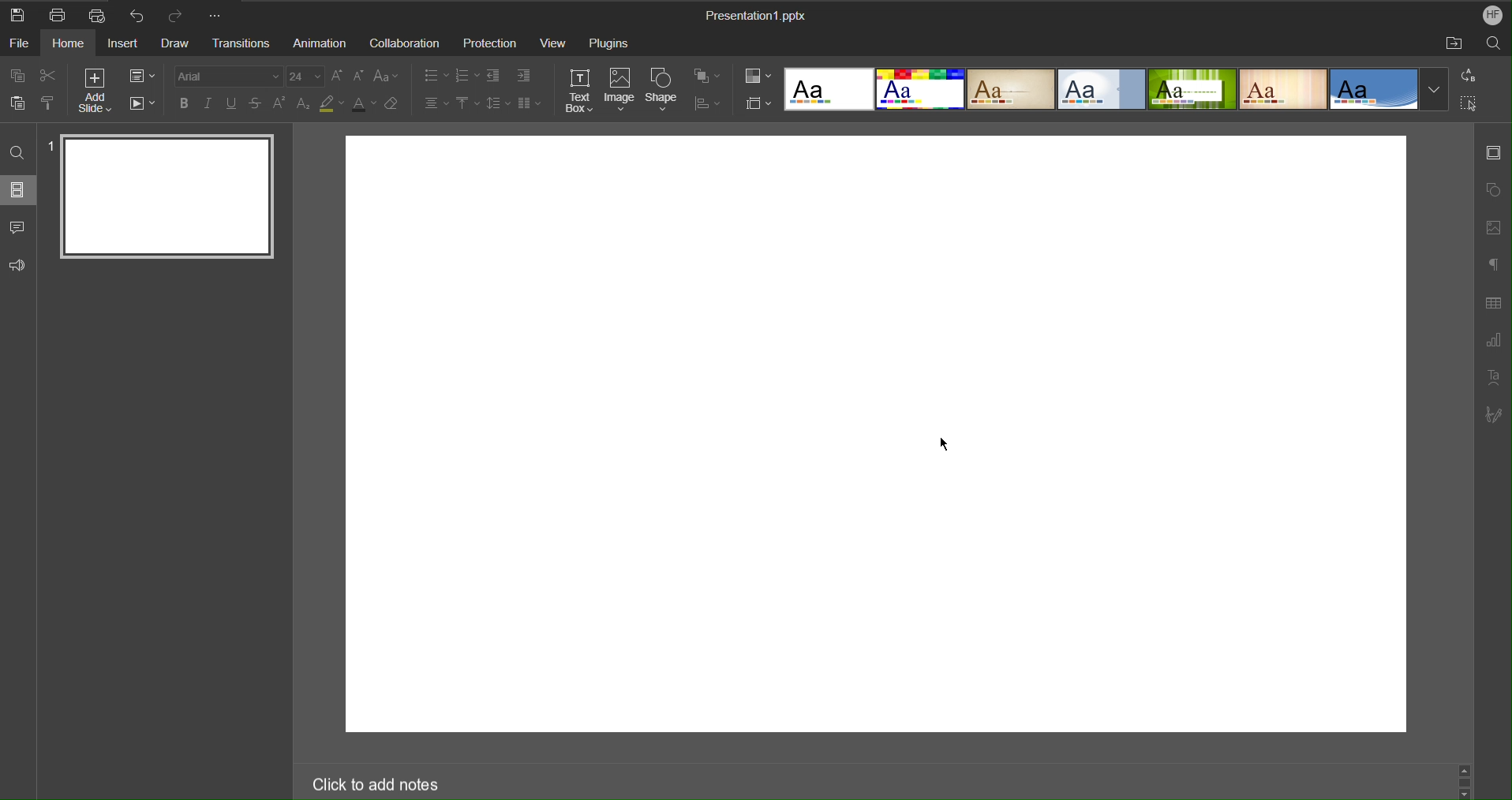 Image resolution: width=1512 pixels, height=800 pixels. Describe the element at coordinates (279, 103) in the screenshot. I see `Superscript` at that location.